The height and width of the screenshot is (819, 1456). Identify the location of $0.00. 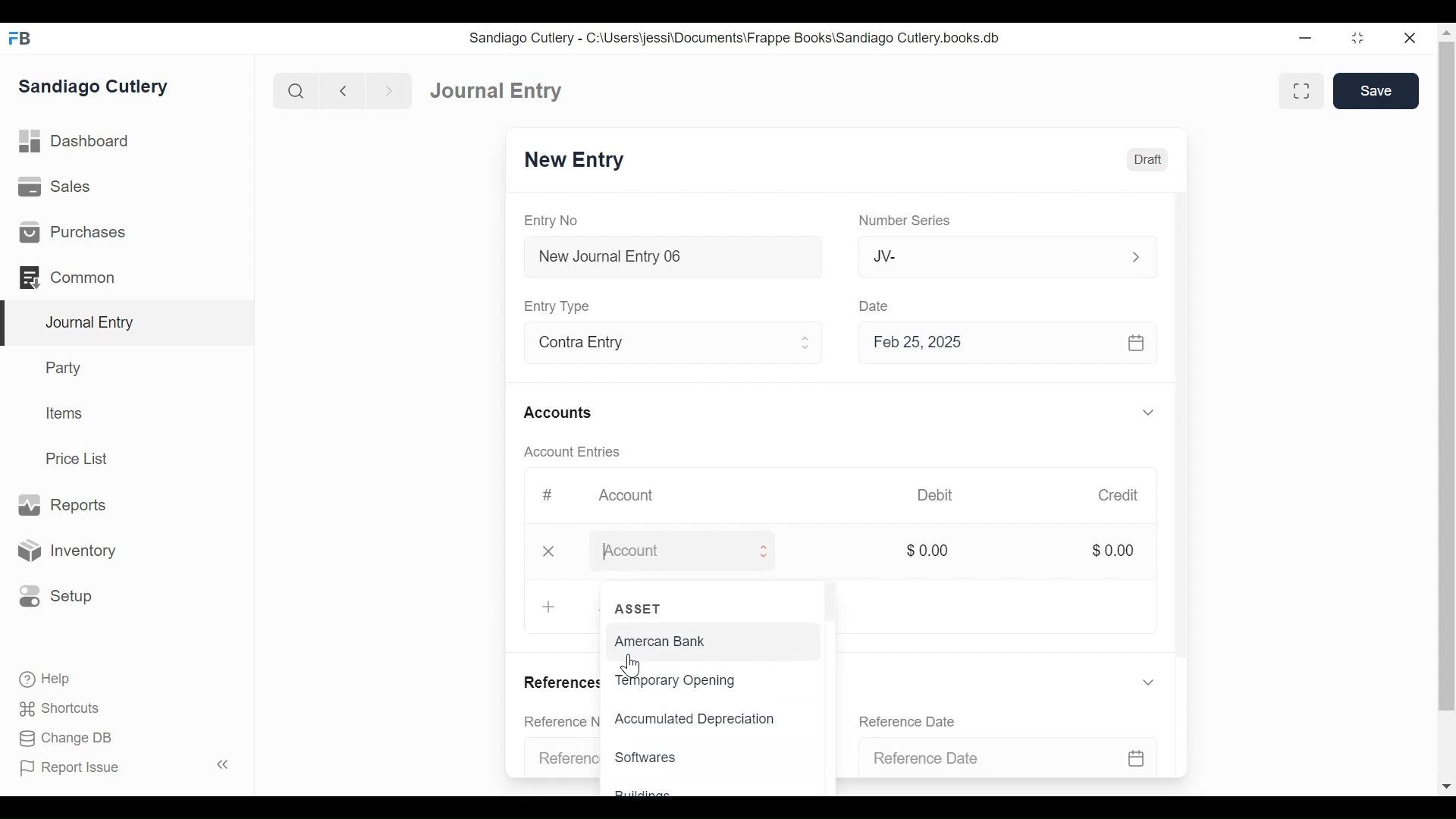
(1112, 550).